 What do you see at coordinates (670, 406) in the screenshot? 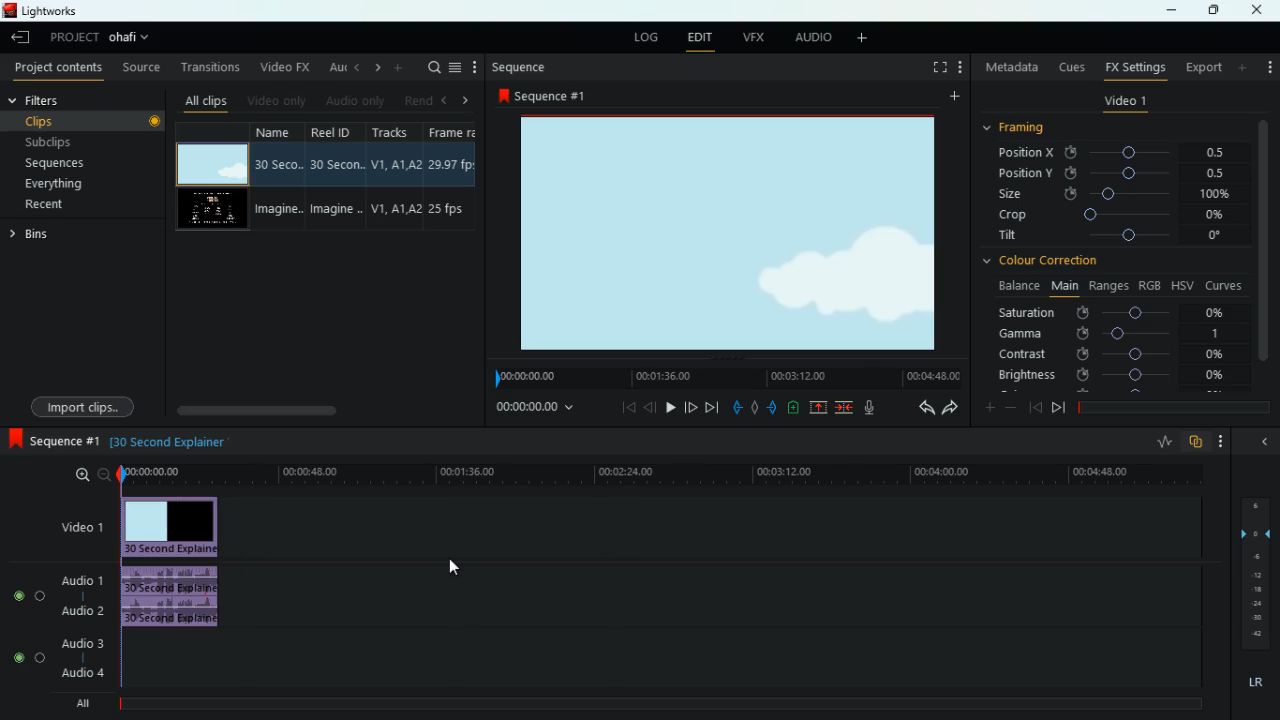
I see `play` at bounding box center [670, 406].